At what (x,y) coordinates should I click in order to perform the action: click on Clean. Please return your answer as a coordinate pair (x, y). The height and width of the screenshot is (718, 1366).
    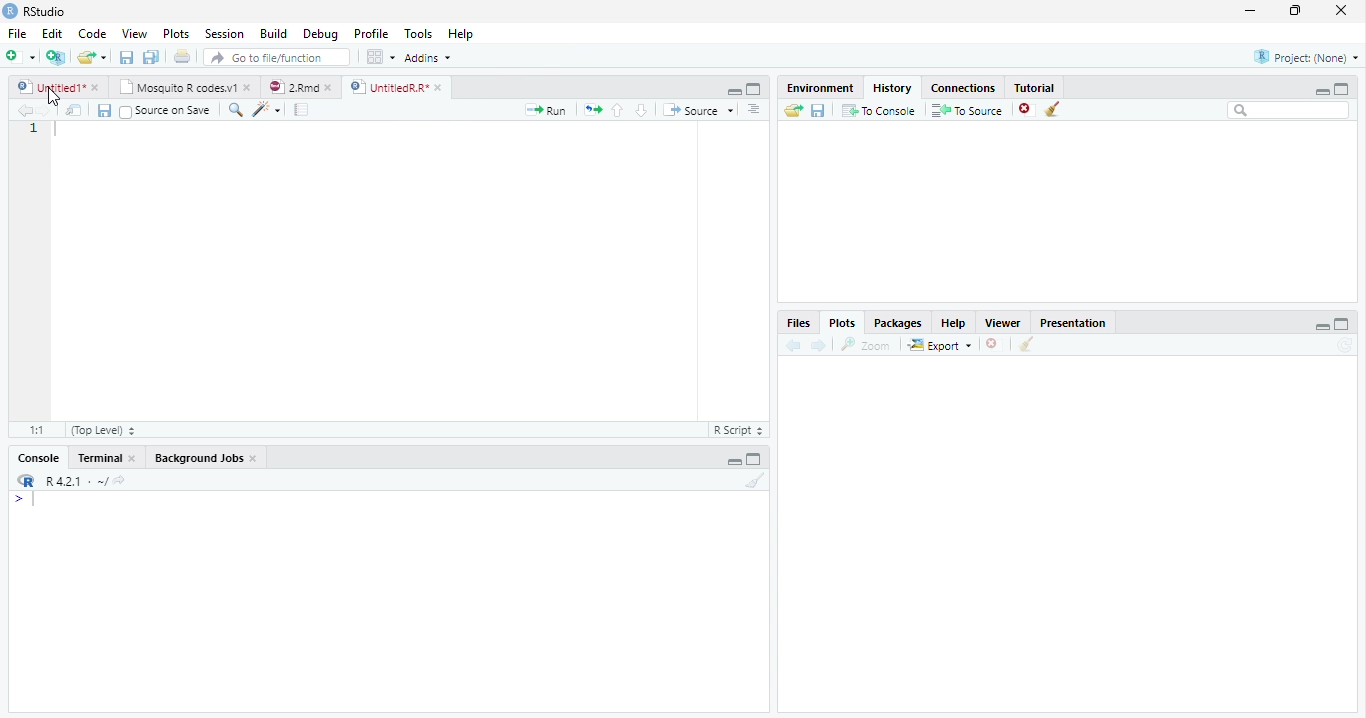
    Looking at the image, I should click on (1056, 109).